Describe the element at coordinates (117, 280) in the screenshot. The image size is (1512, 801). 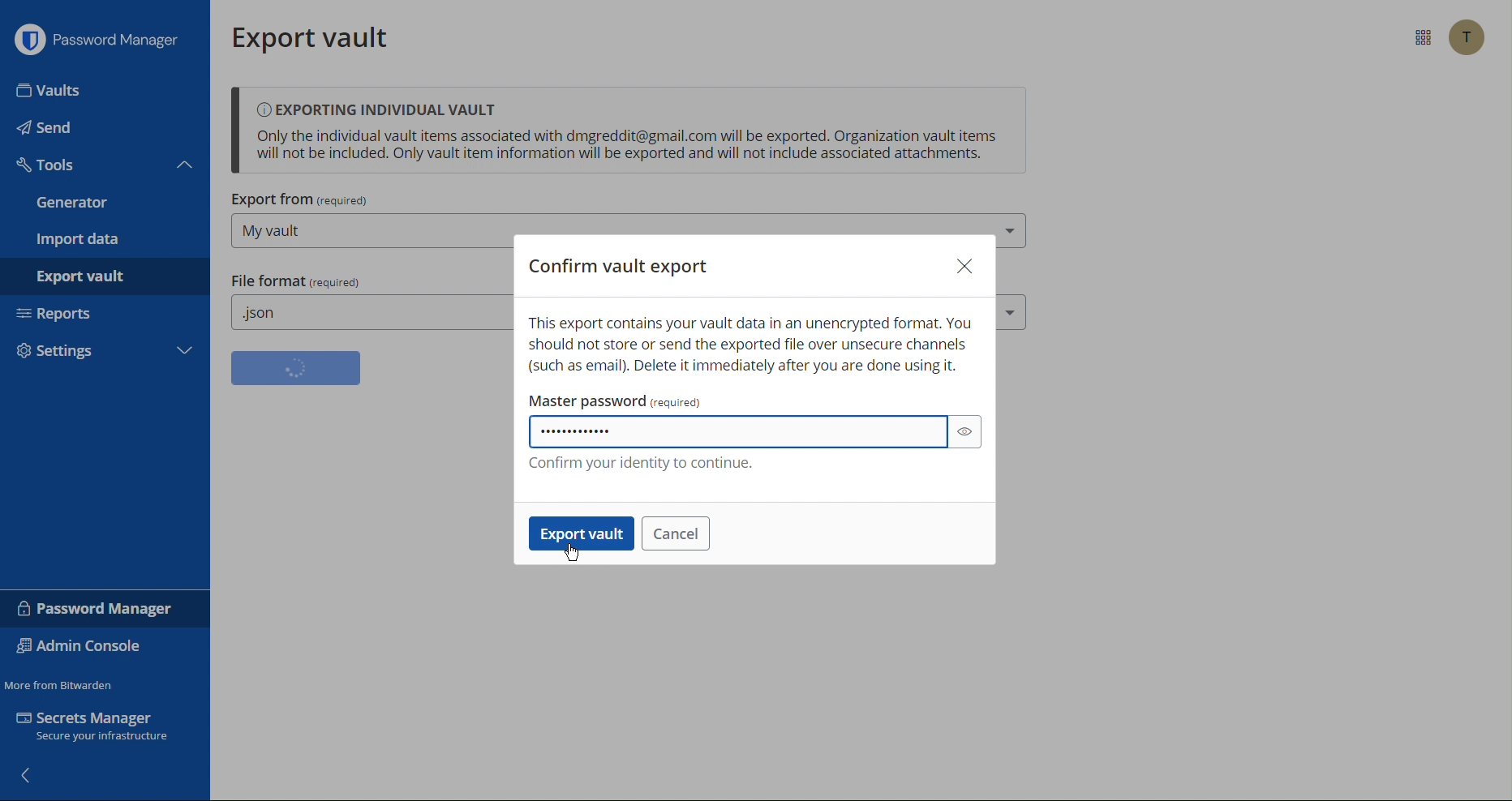
I see `Export vault` at that location.